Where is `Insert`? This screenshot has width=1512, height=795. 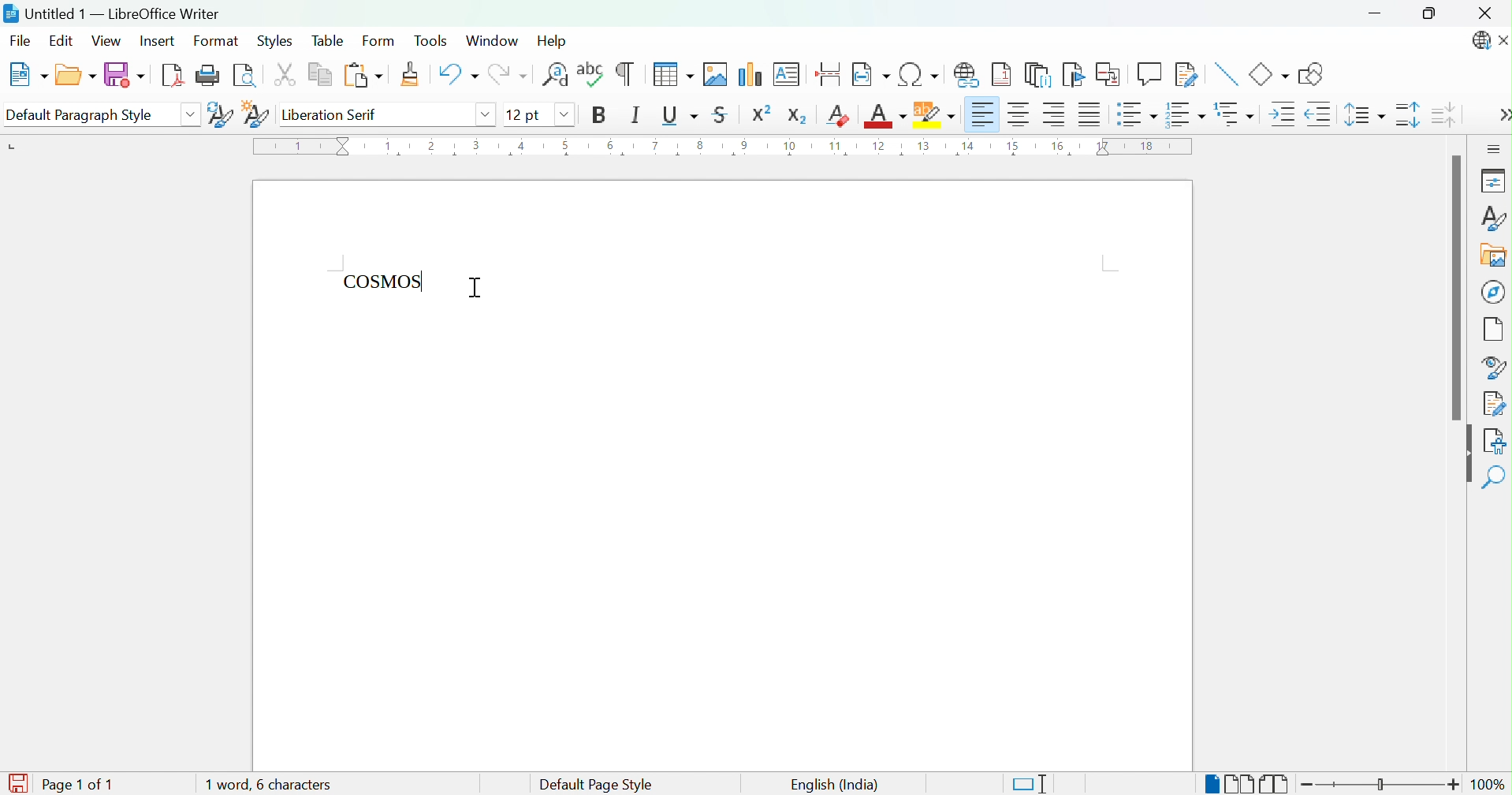 Insert is located at coordinates (160, 43).